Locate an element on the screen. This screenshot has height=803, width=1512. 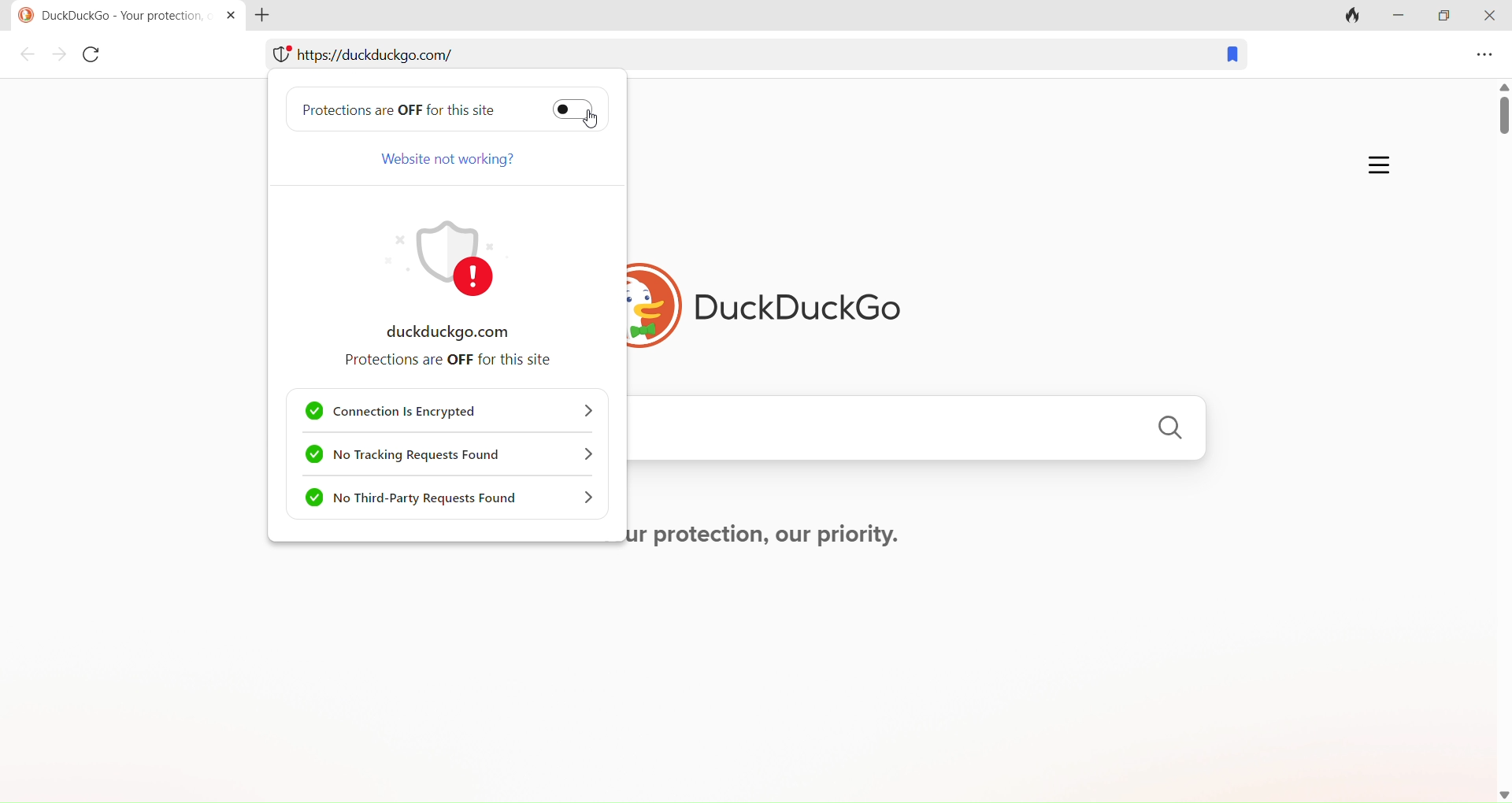
minimize is located at coordinates (1403, 20).